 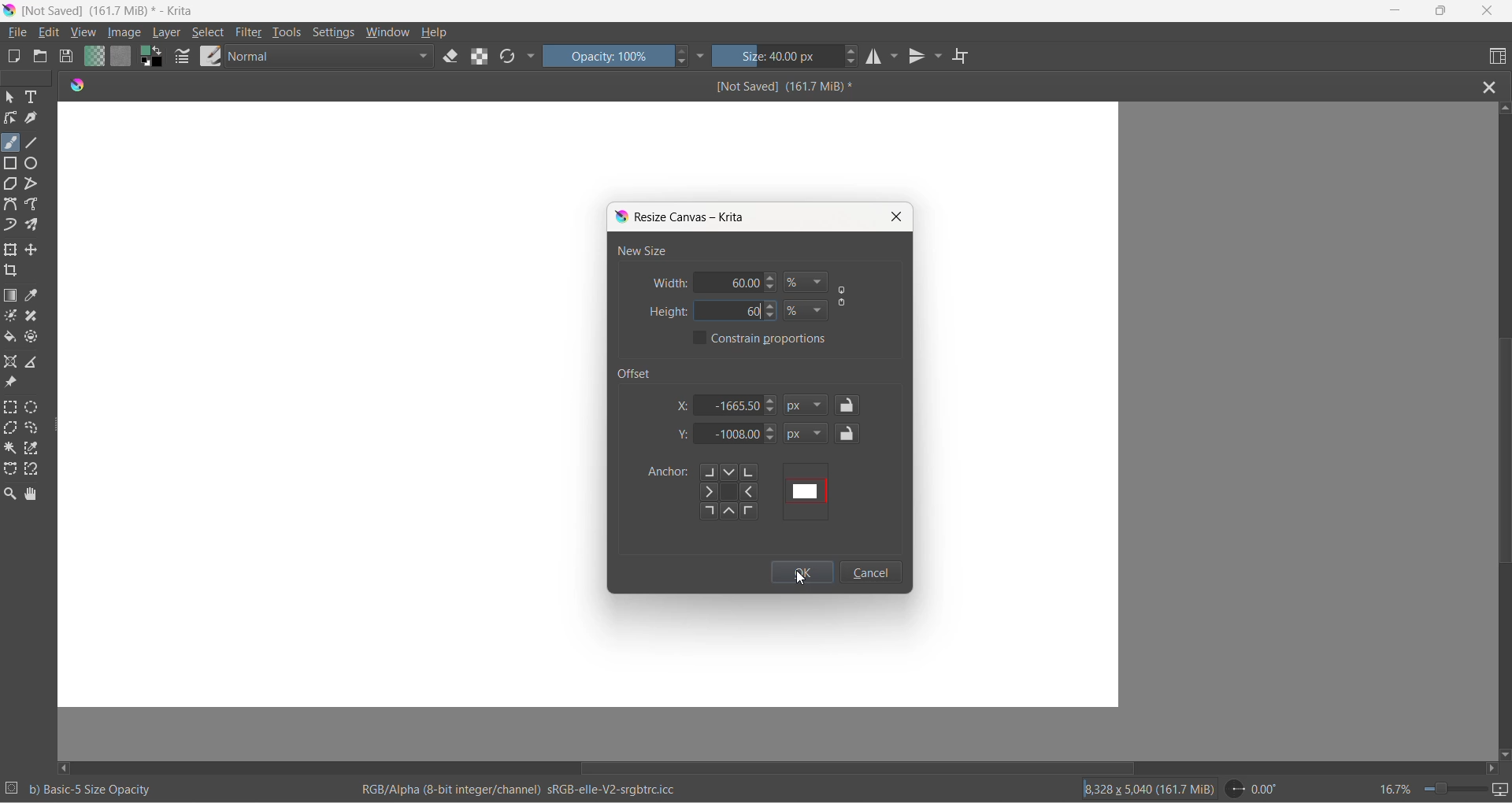 I want to click on width value box, so click(x=717, y=282).